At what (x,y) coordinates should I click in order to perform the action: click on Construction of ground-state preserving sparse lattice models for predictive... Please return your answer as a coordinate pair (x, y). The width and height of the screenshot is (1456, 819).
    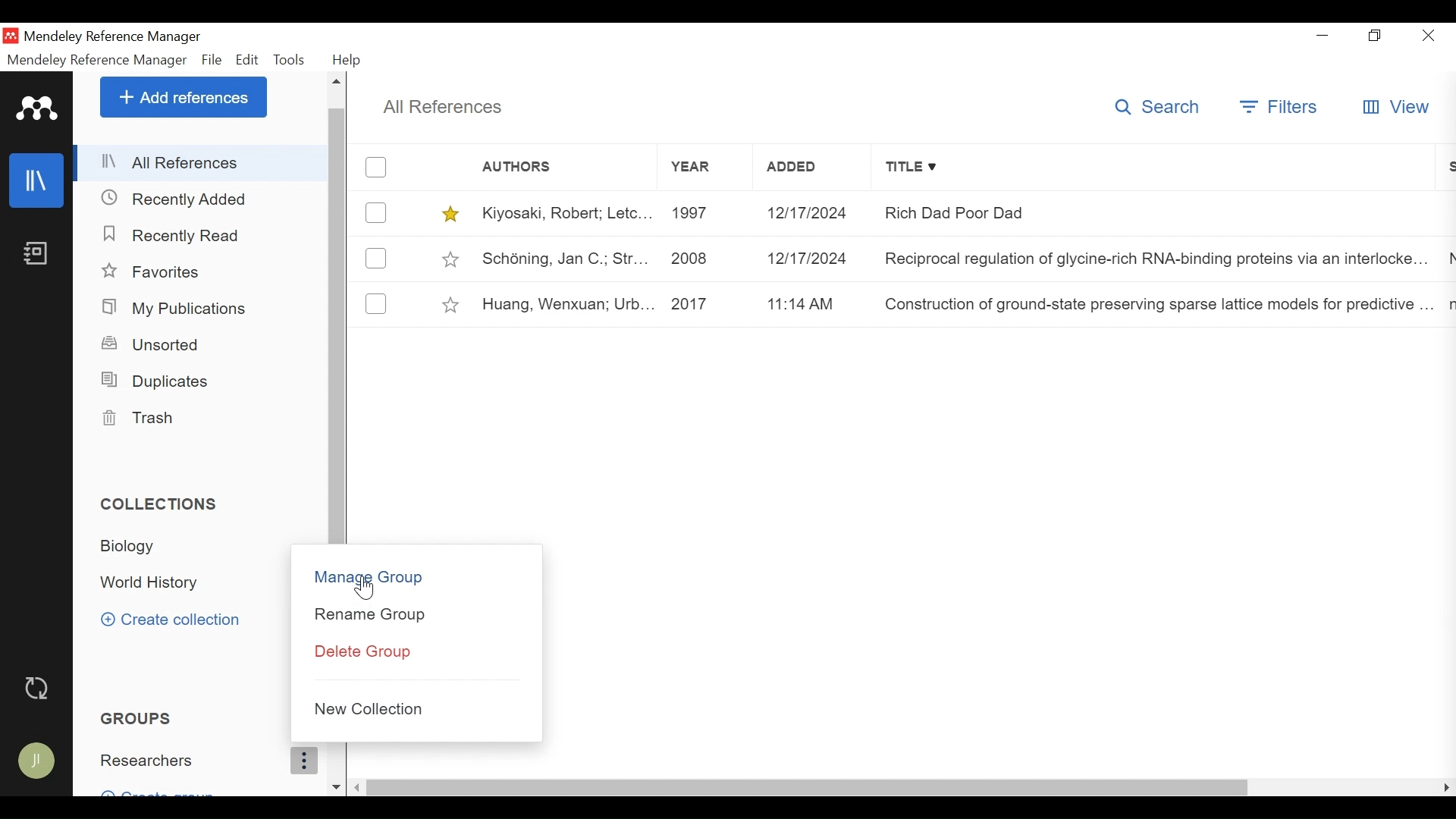
    Looking at the image, I should click on (1157, 303).